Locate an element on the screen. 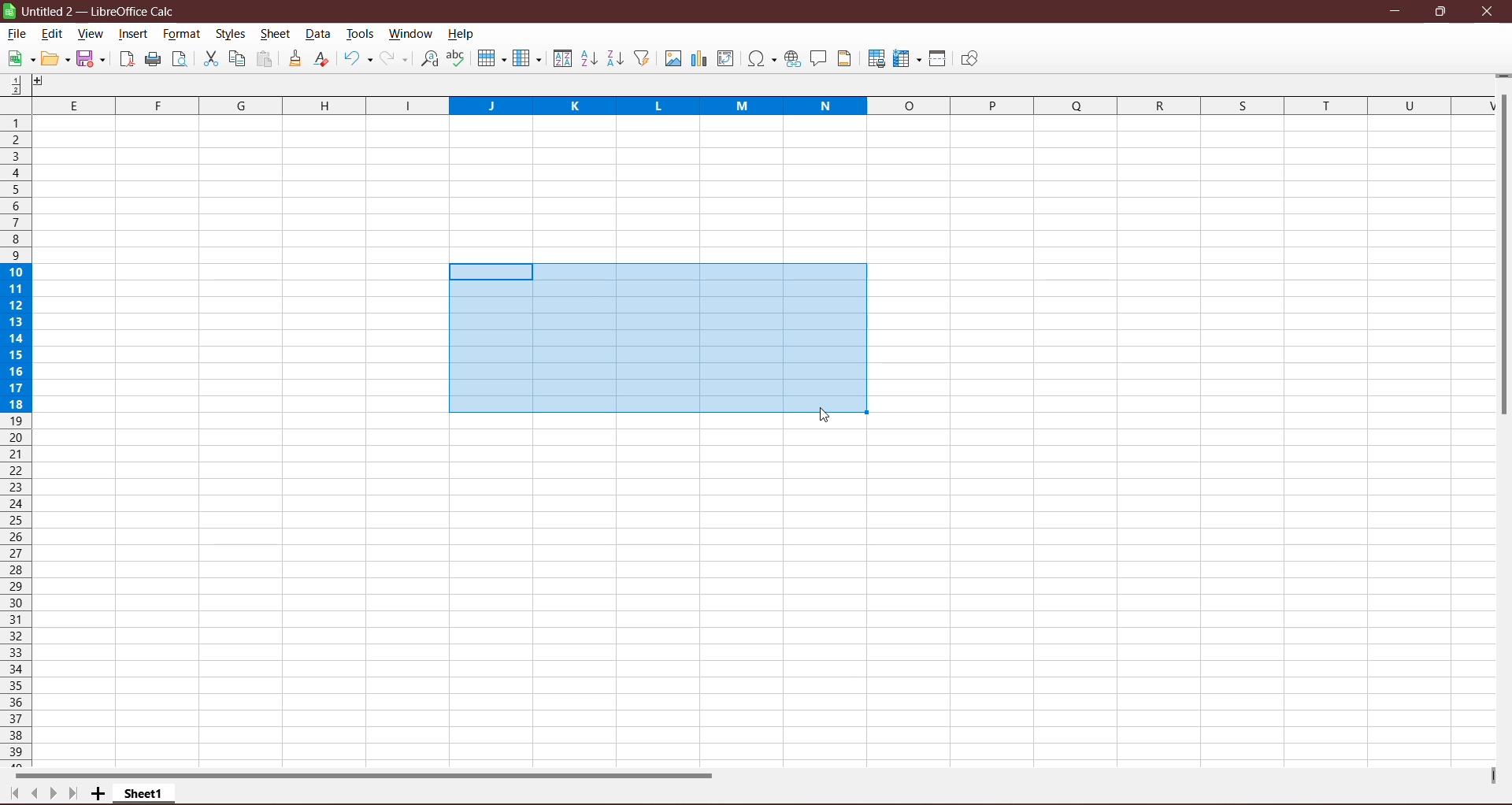  Insert Special Characters is located at coordinates (762, 58).